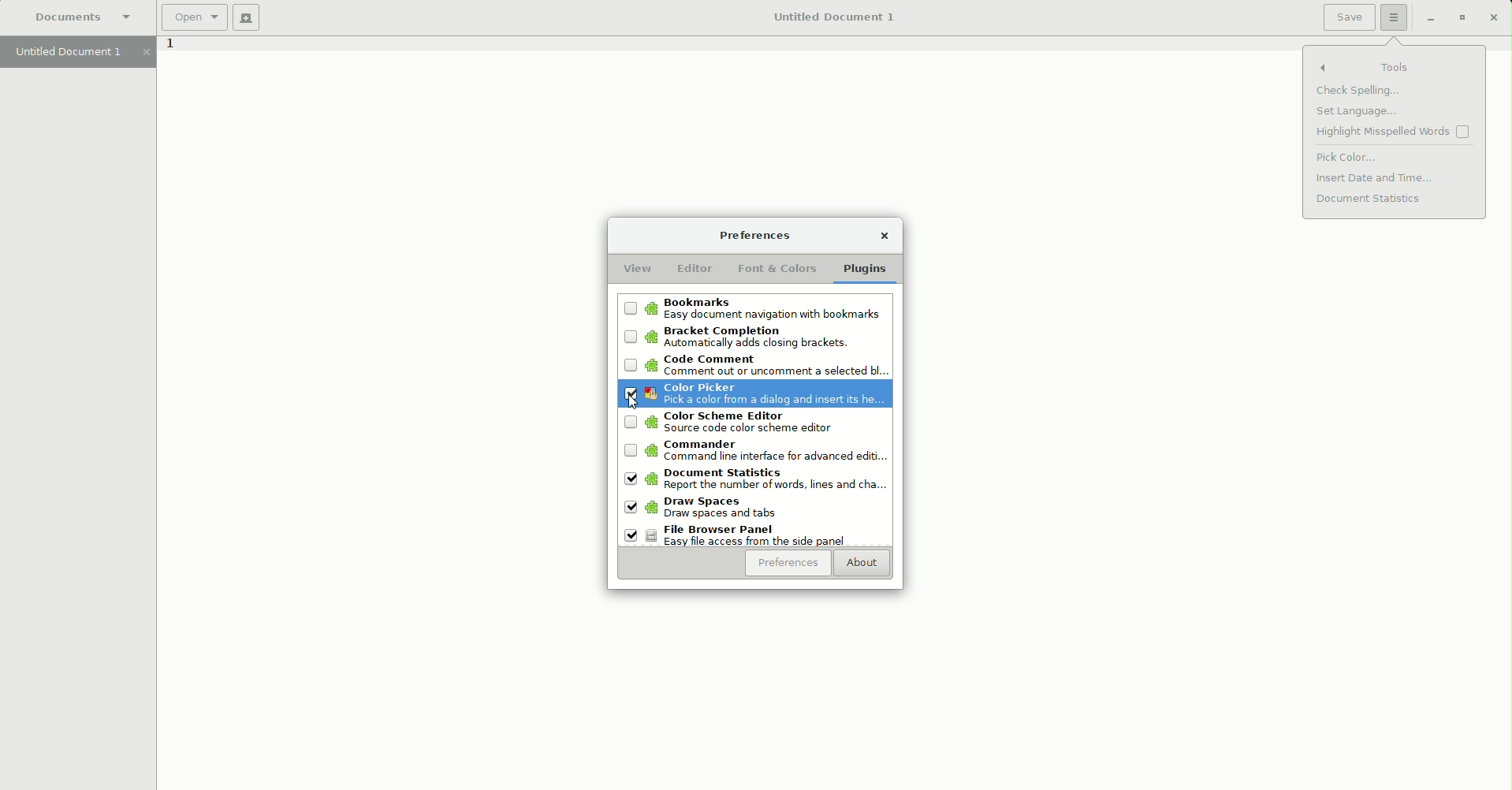 The width and height of the screenshot is (1512, 790). I want to click on Documents, so click(84, 17).